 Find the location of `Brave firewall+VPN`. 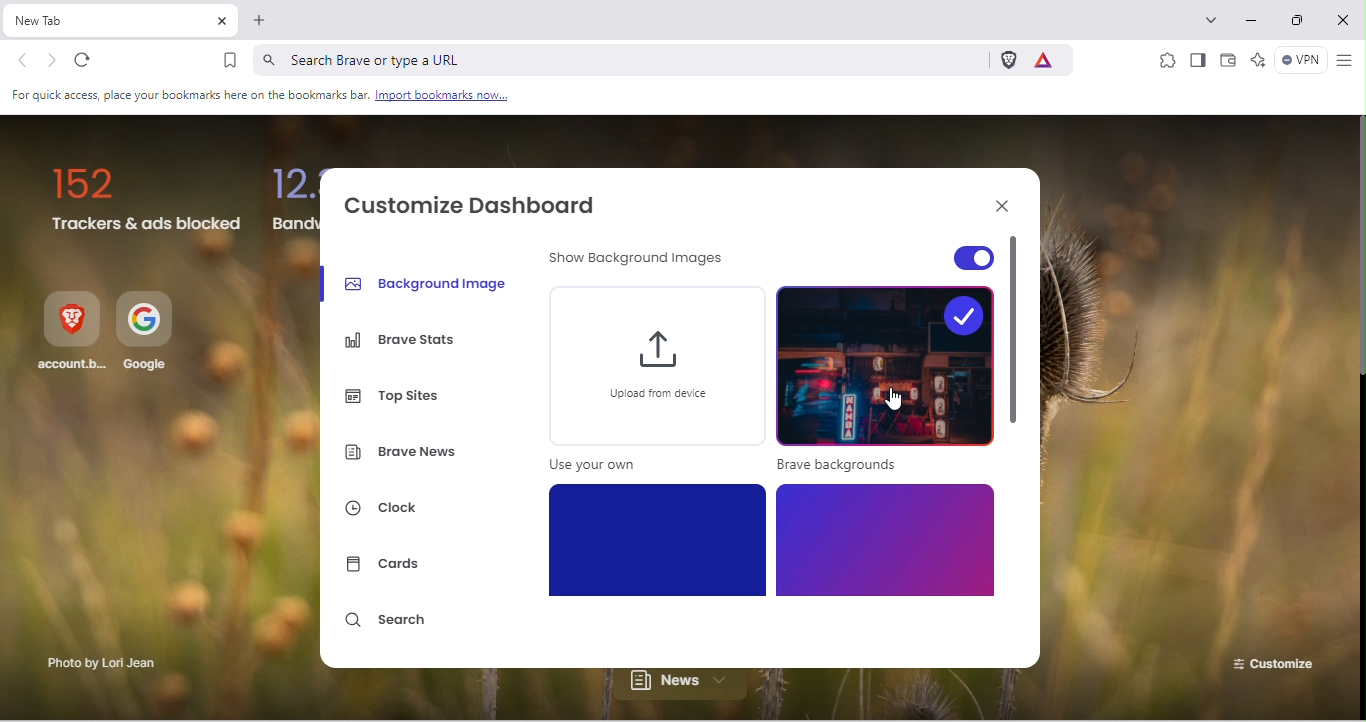

Brave firewall+VPN is located at coordinates (1298, 62).